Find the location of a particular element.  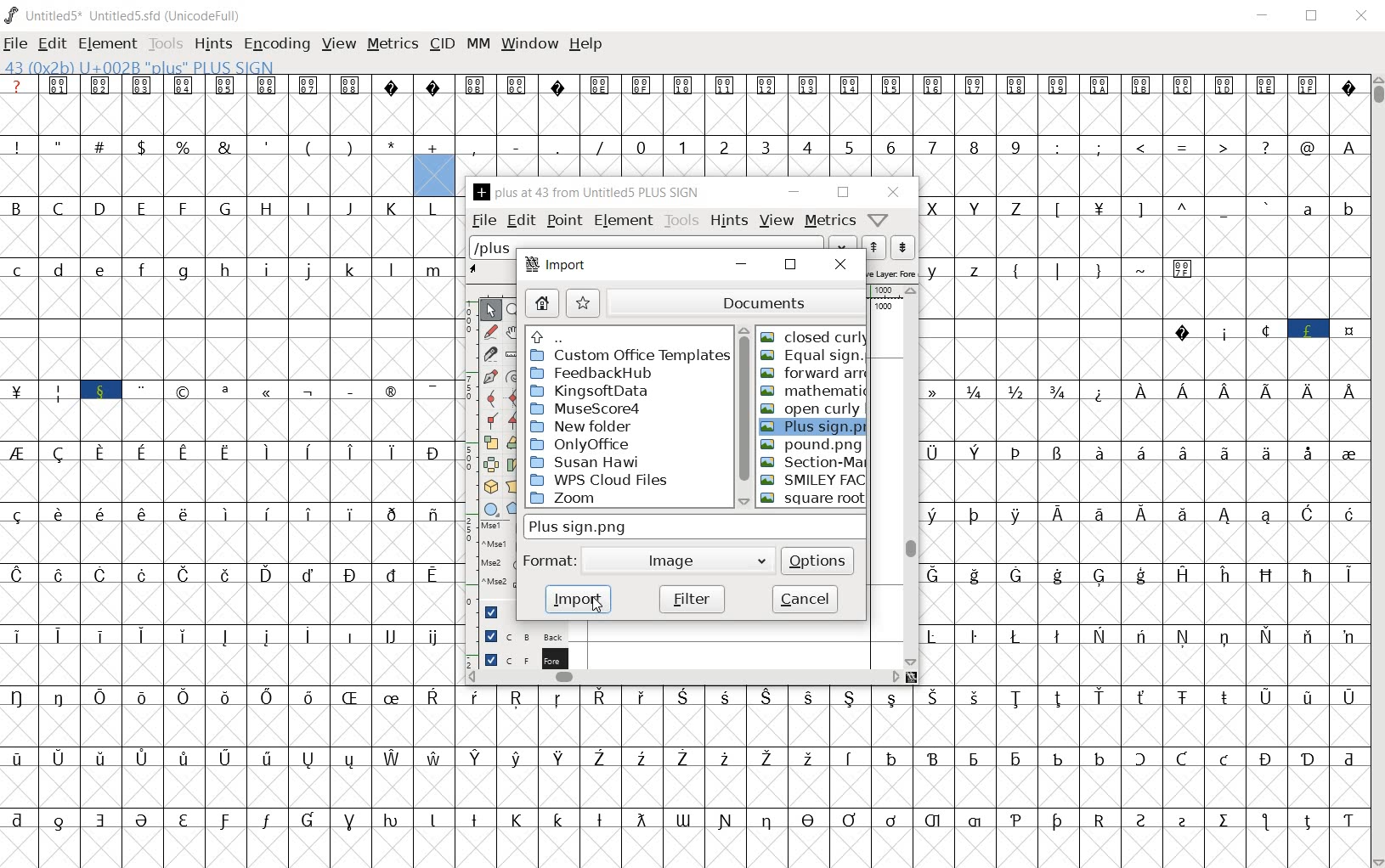

cid is located at coordinates (442, 42).